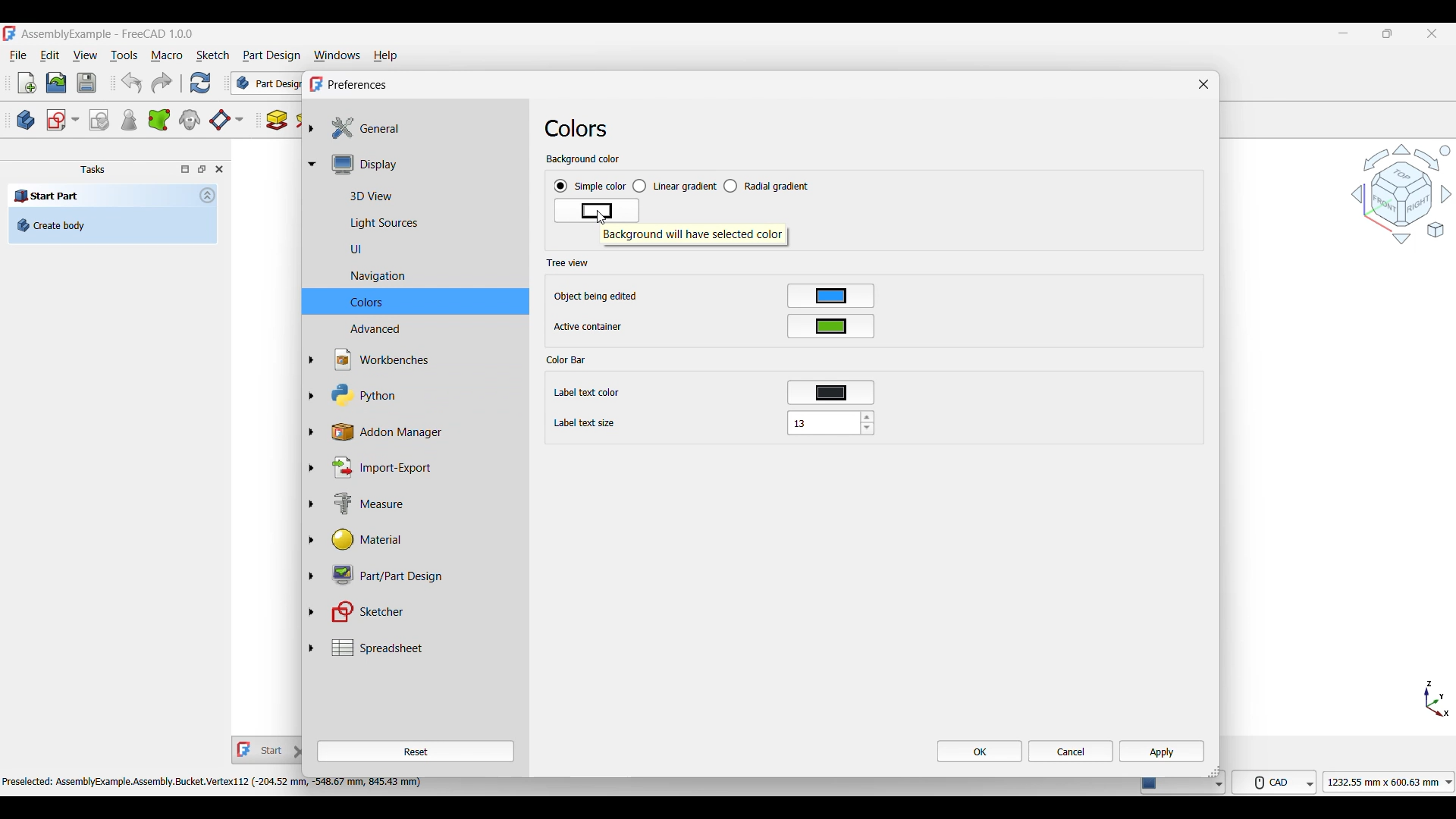 This screenshot has width=1456, height=819. Describe the element at coordinates (425, 432) in the screenshot. I see `Addon manager` at that location.